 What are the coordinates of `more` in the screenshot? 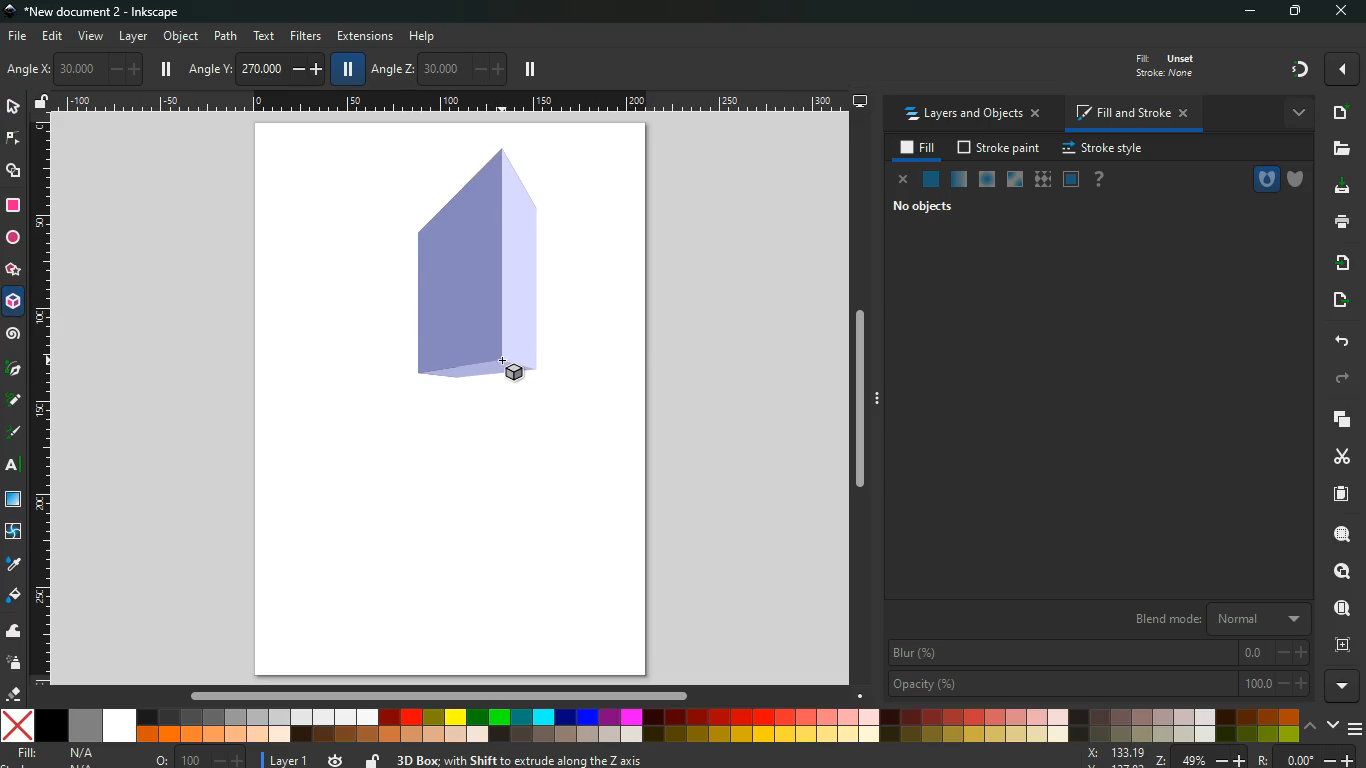 It's located at (1345, 687).